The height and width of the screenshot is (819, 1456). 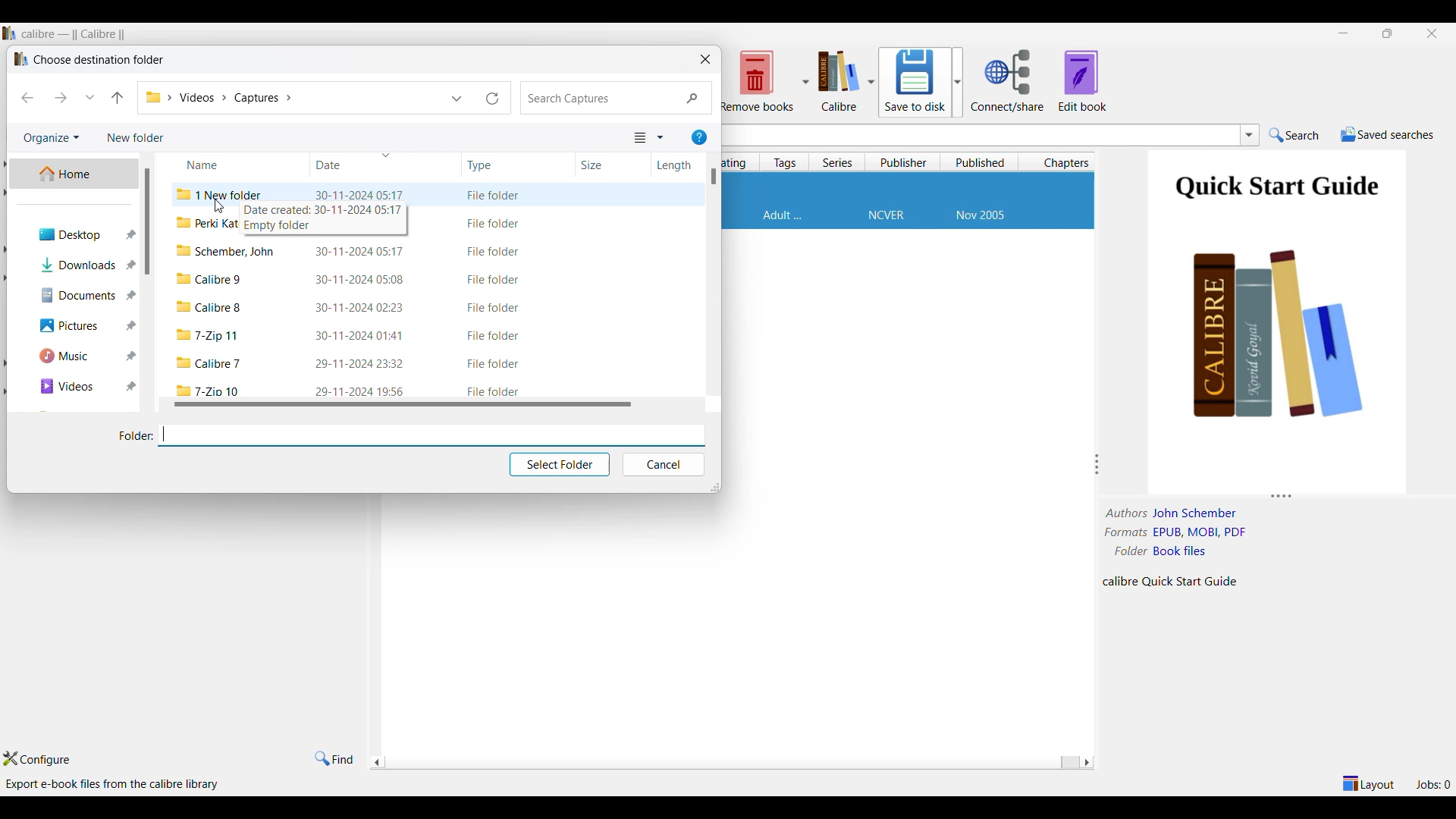 I want to click on Book details, so click(x=1181, y=548).